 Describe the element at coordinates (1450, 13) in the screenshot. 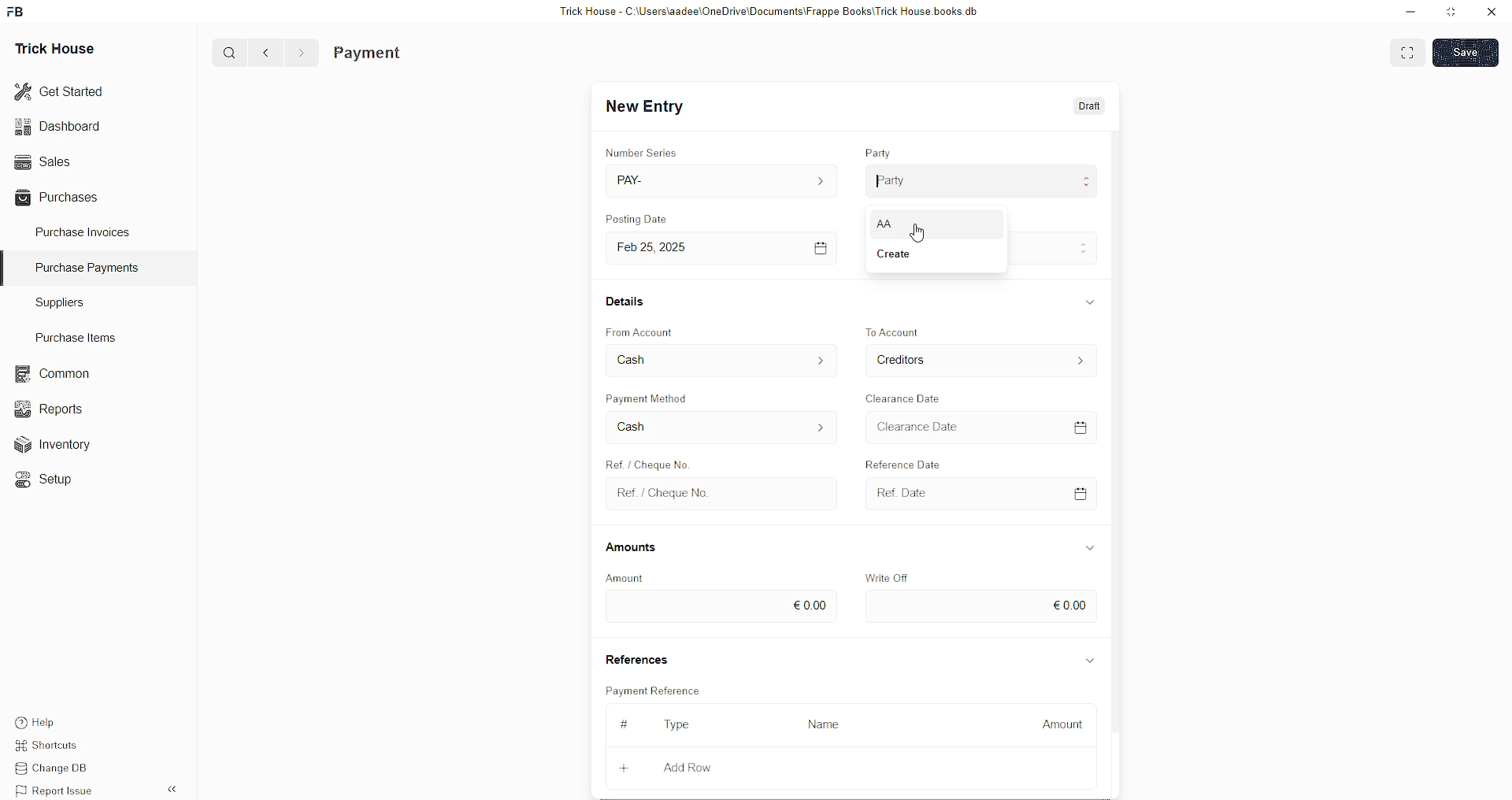

I see `minimise window` at that location.